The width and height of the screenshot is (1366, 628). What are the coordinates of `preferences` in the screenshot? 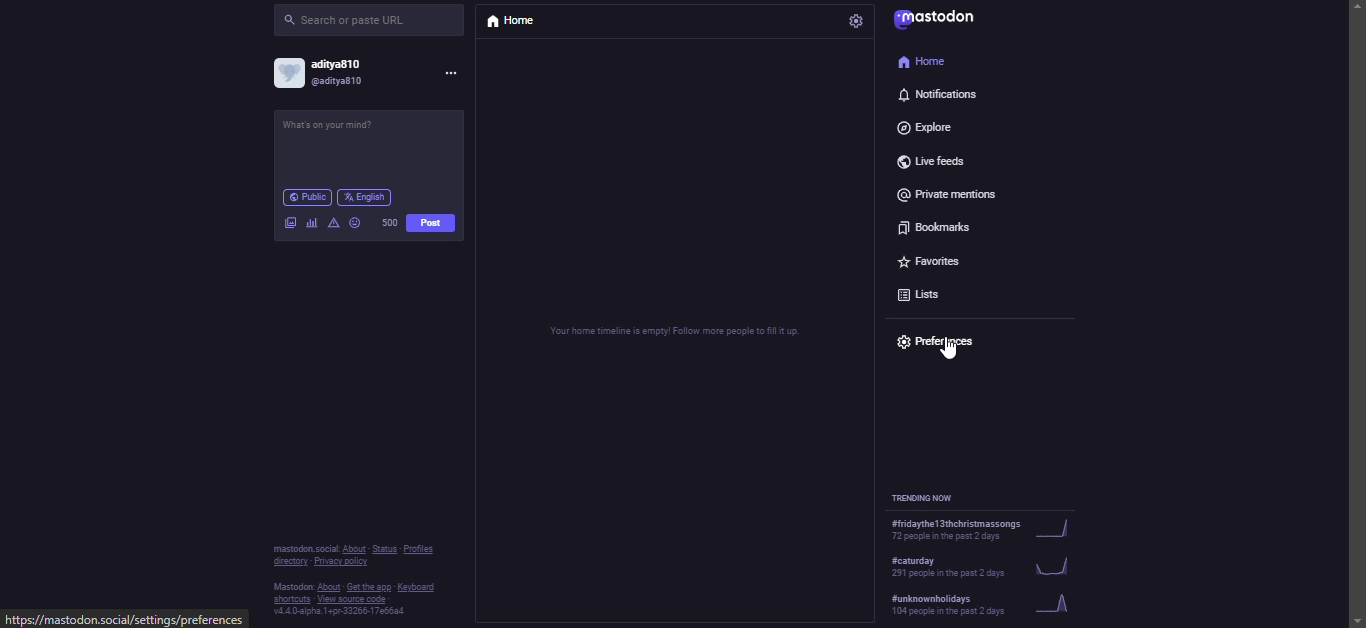 It's located at (943, 339).